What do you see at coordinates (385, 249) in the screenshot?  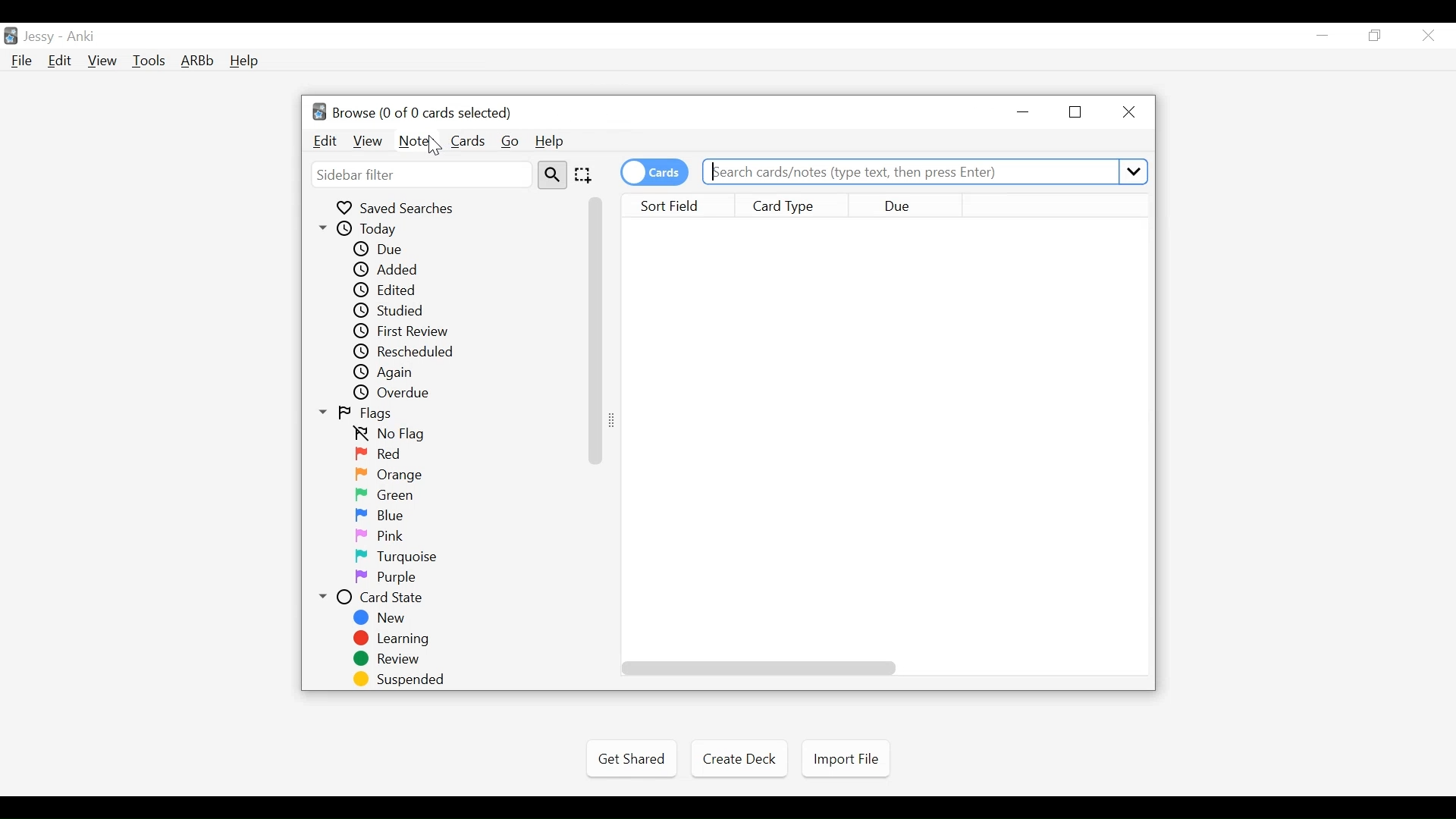 I see `Due` at bounding box center [385, 249].